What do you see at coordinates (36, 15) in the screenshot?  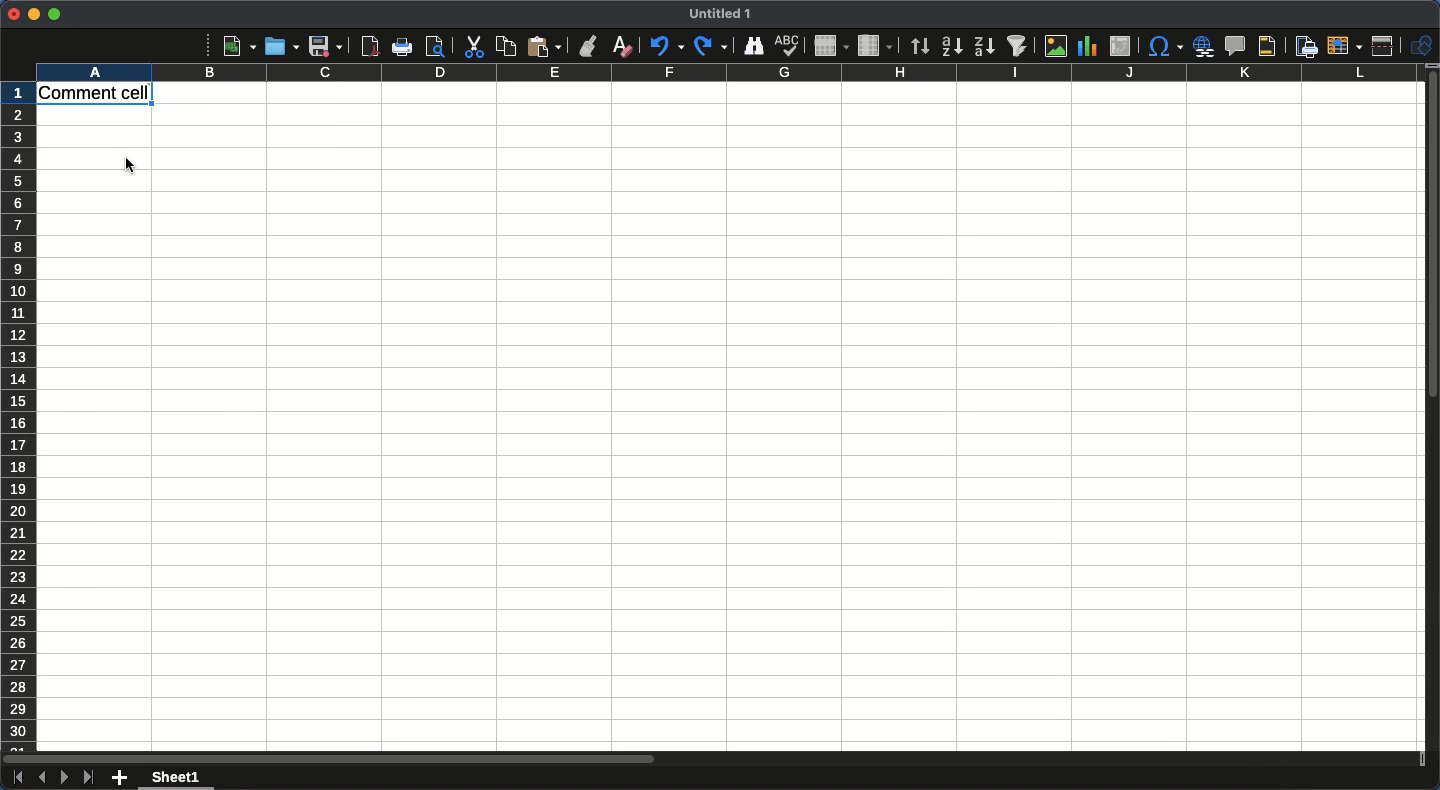 I see `Minimize` at bounding box center [36, 15].